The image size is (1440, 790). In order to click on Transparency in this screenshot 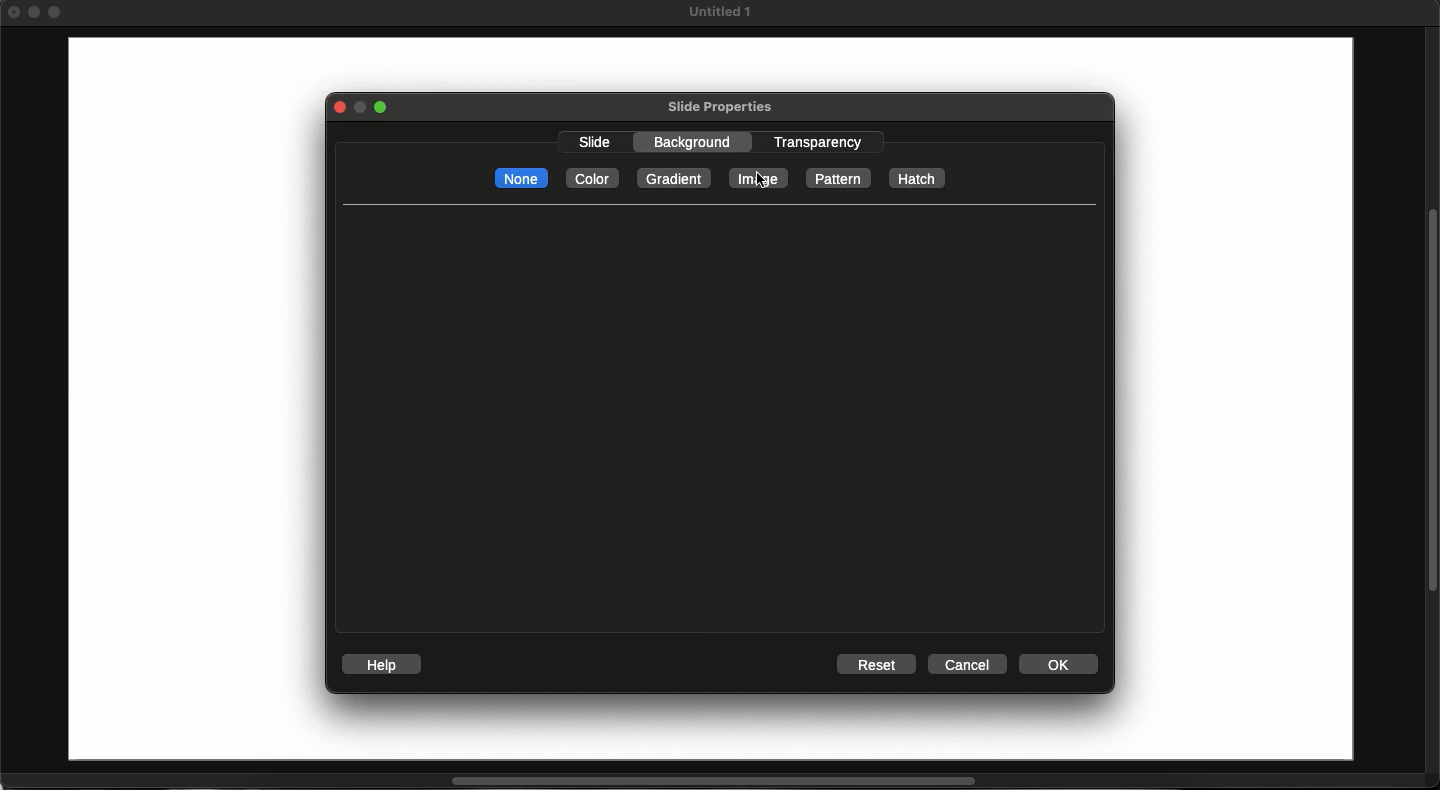, I will do `click(818, 141)`.